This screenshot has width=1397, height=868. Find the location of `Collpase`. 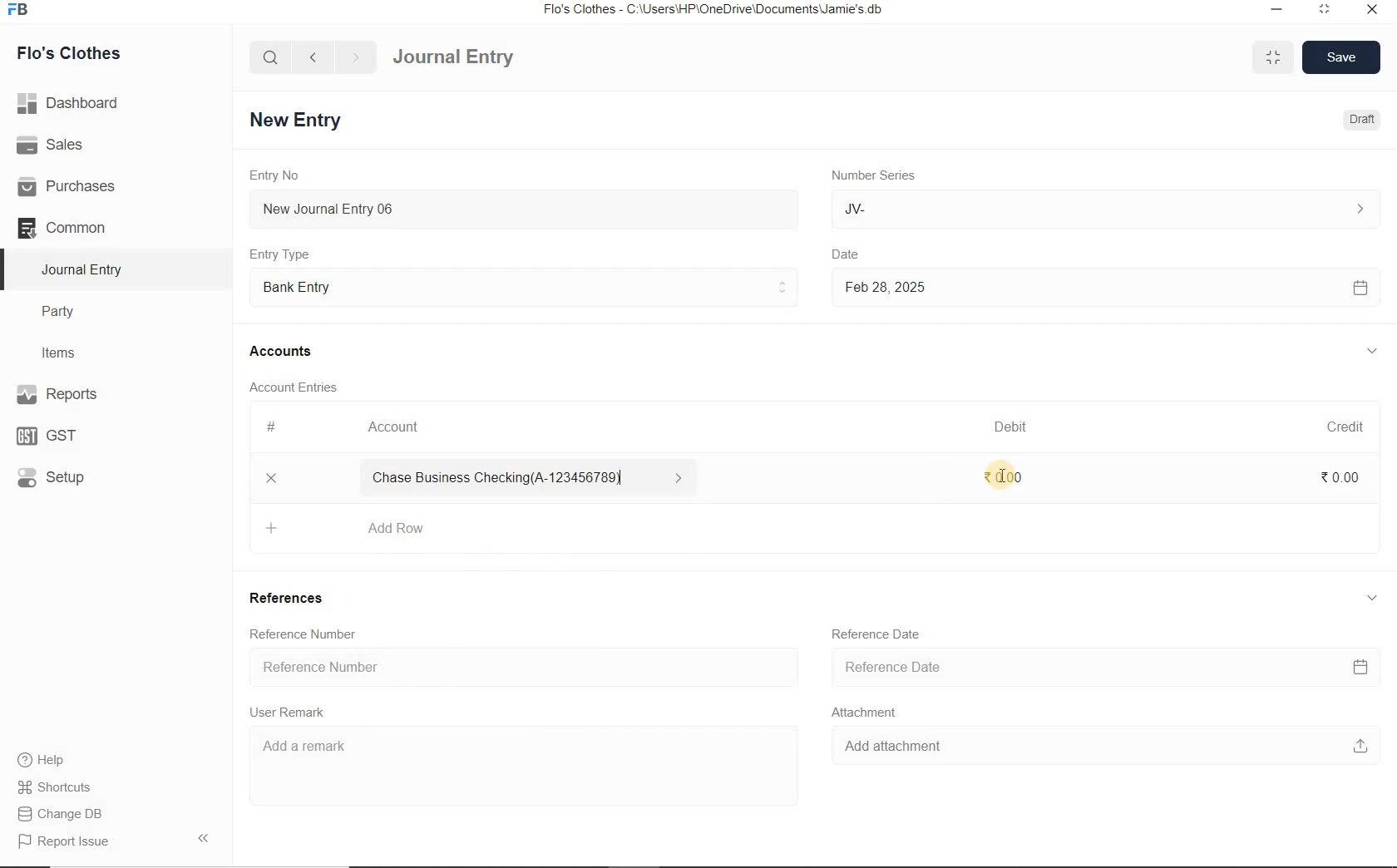

Collpase is located at coordinates (203, 837).